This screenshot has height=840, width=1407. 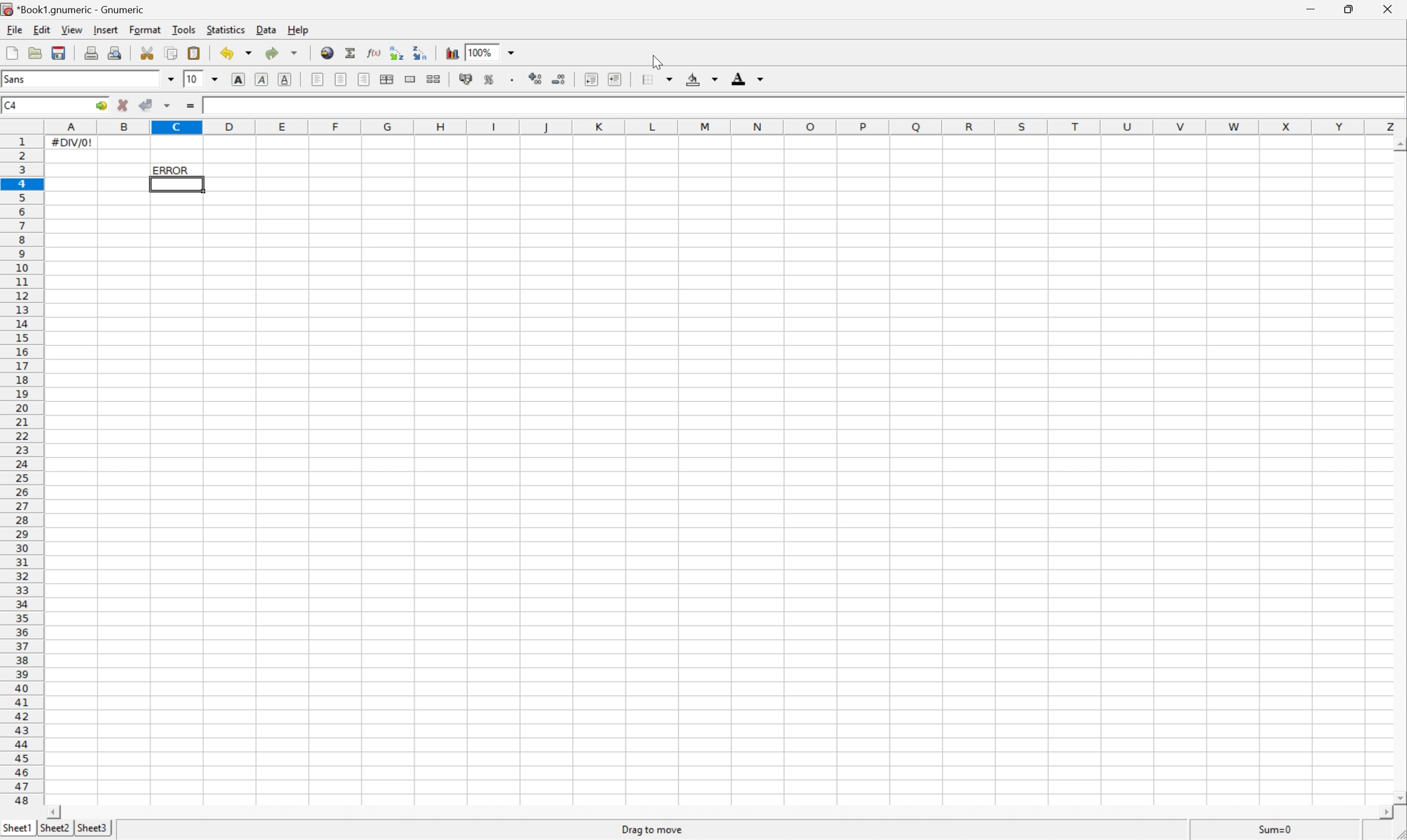 What do you see at coordinates (482, 52) in the screenshot?
I see `100%` at bounding box center [482, 52].